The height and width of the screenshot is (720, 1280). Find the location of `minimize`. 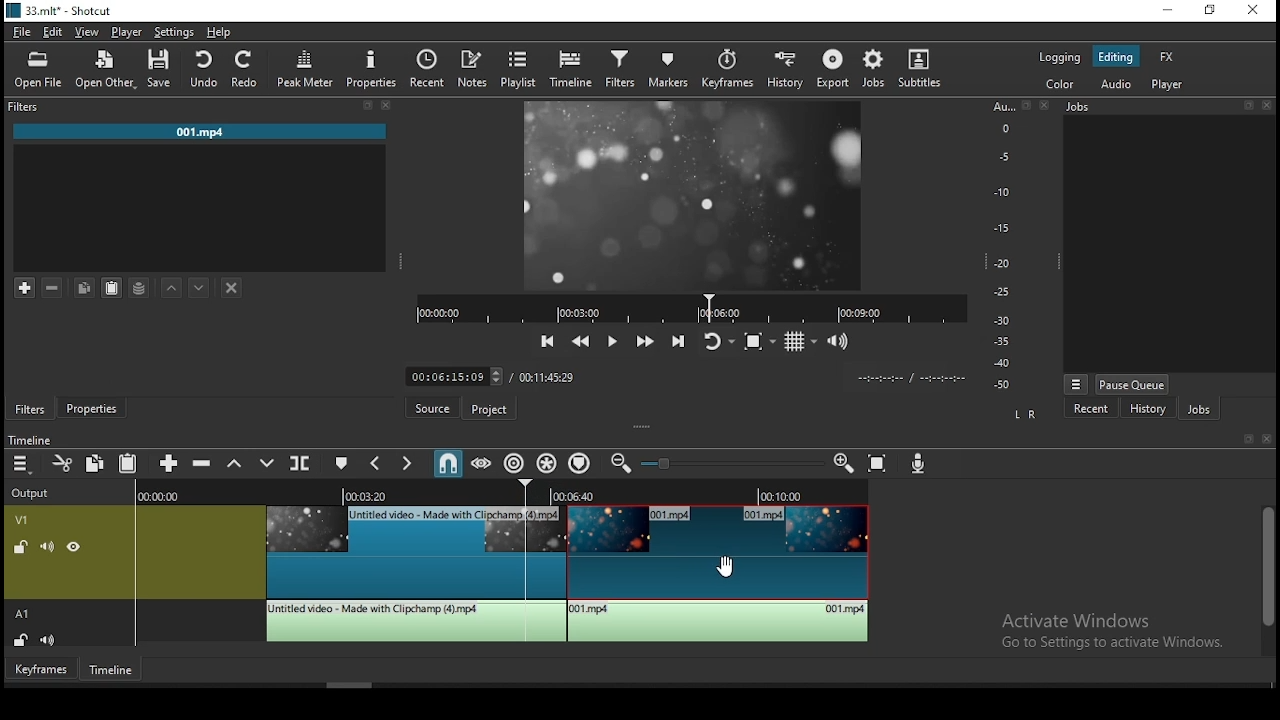

minimize is located at coordinates (1167, 10).